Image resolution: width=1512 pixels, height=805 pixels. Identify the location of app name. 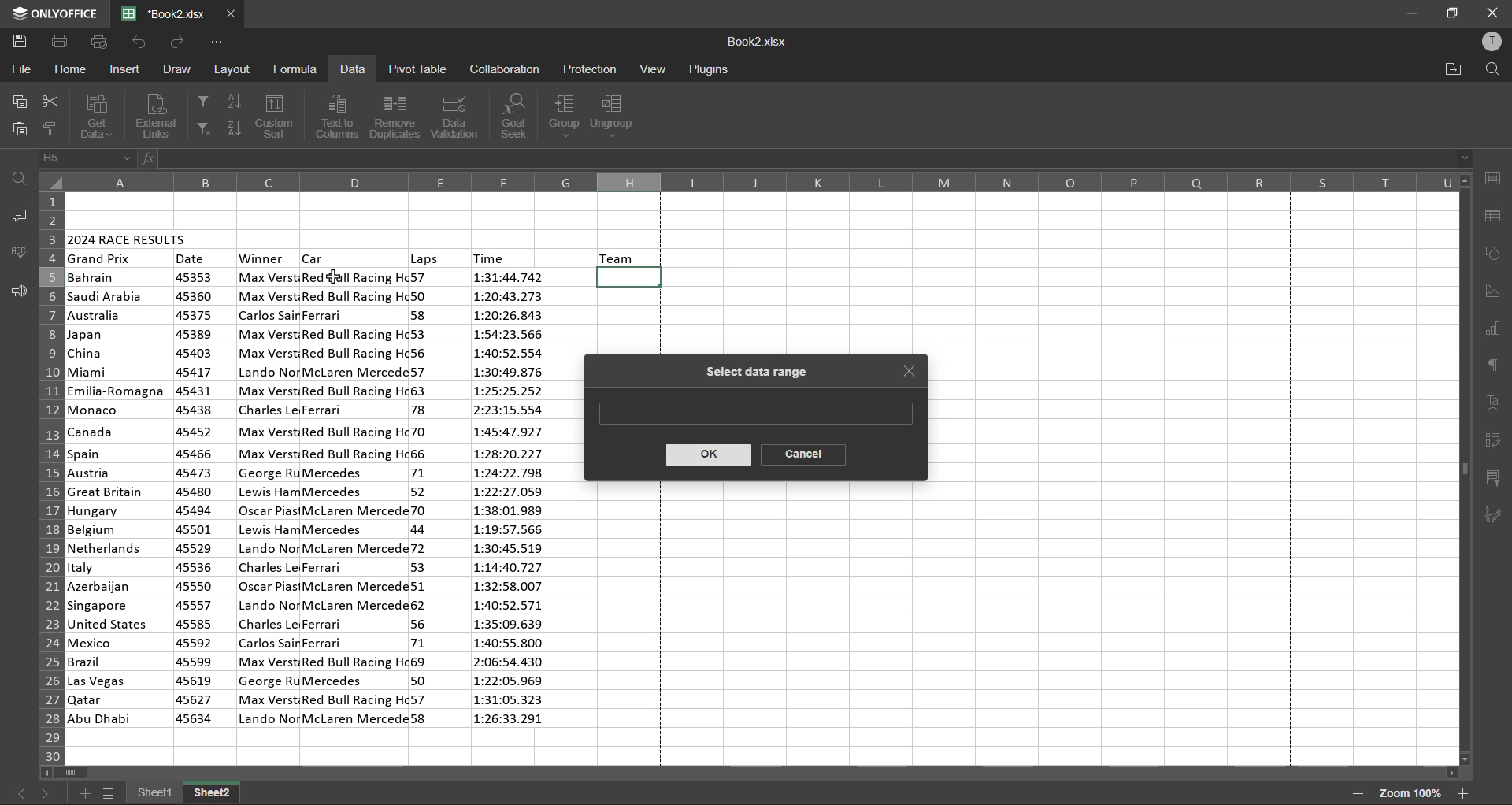
(54, 13).